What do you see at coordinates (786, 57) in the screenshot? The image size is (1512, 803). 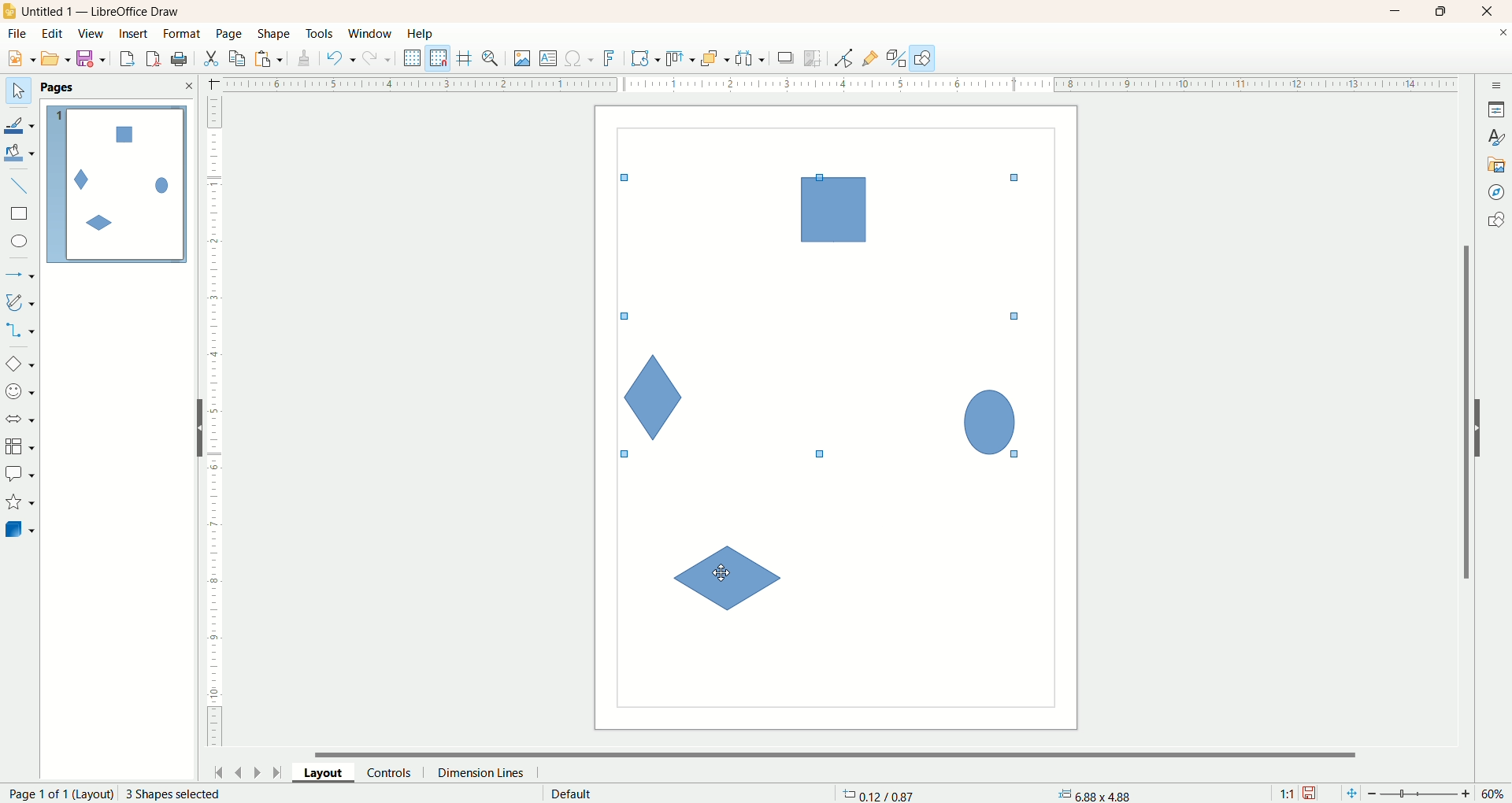 I see `shadow` at bounding box center [786, 57].